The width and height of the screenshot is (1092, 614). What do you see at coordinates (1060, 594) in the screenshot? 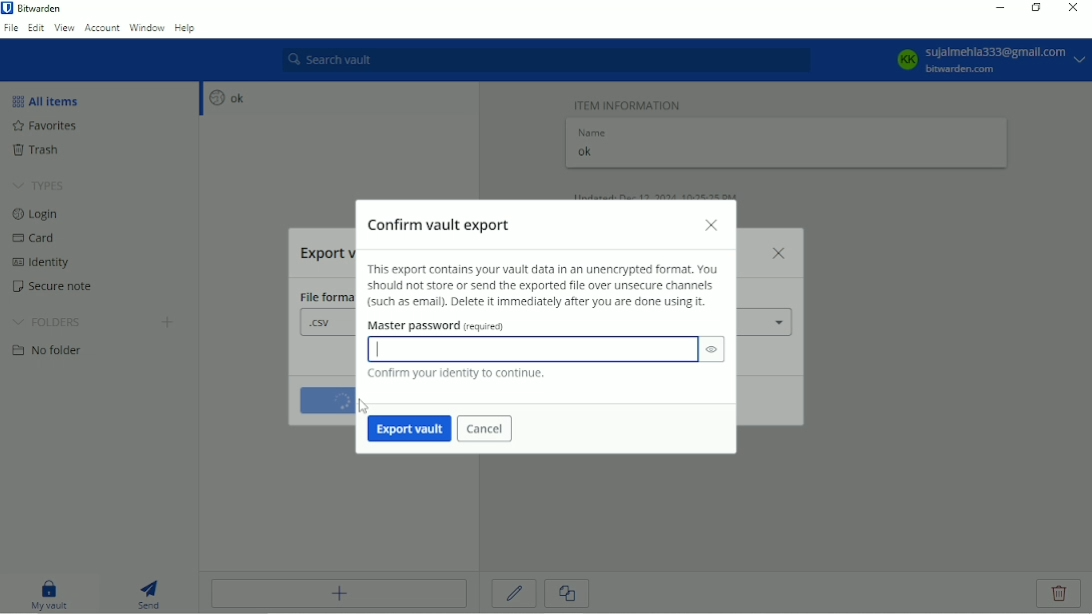
I see `Delete` at bounding box center [1060, 594].